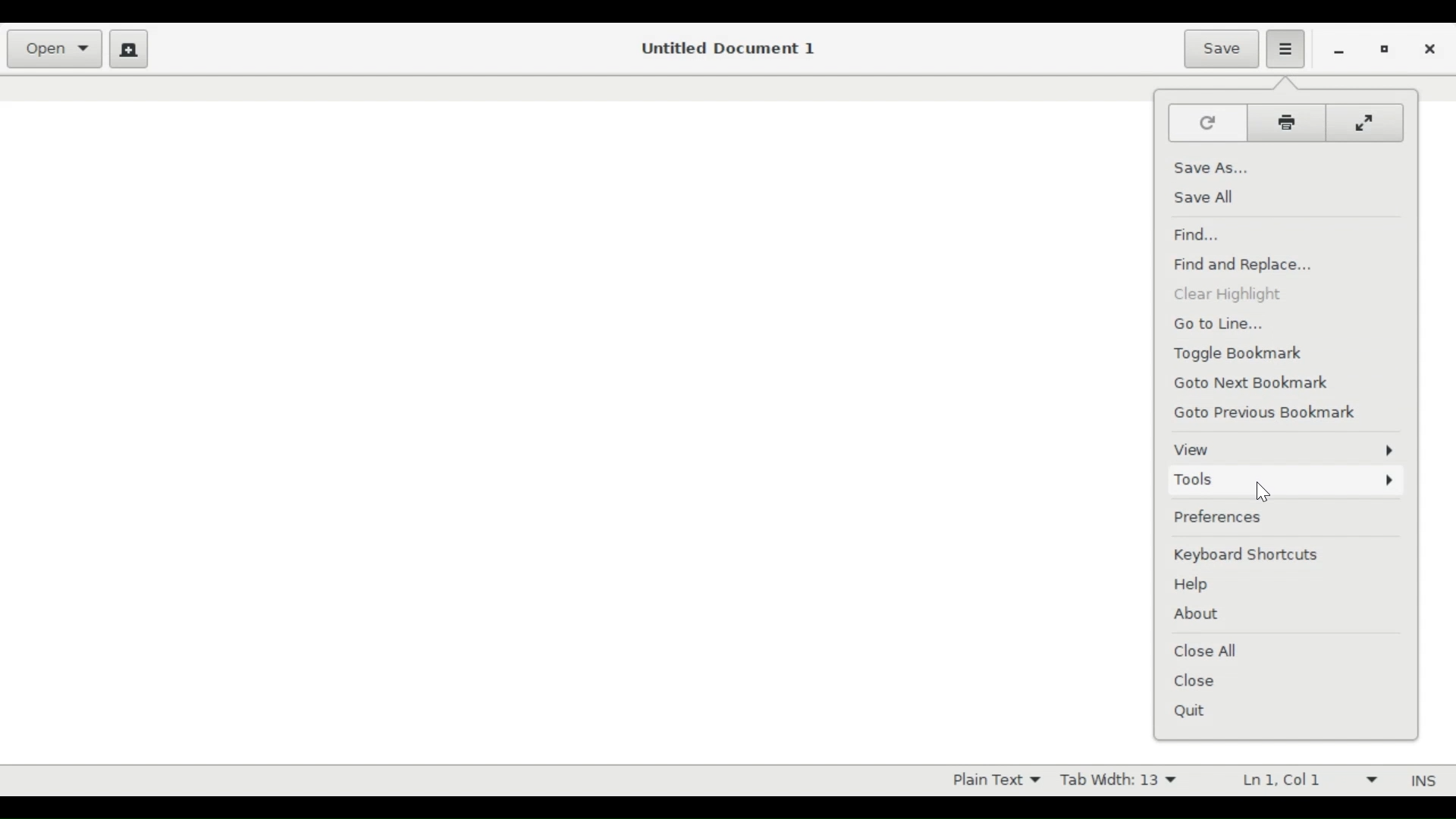  What do you see at coordinates (1198, 681) in the screenshot?
I see `Close` at bounding box center [1198, 681].